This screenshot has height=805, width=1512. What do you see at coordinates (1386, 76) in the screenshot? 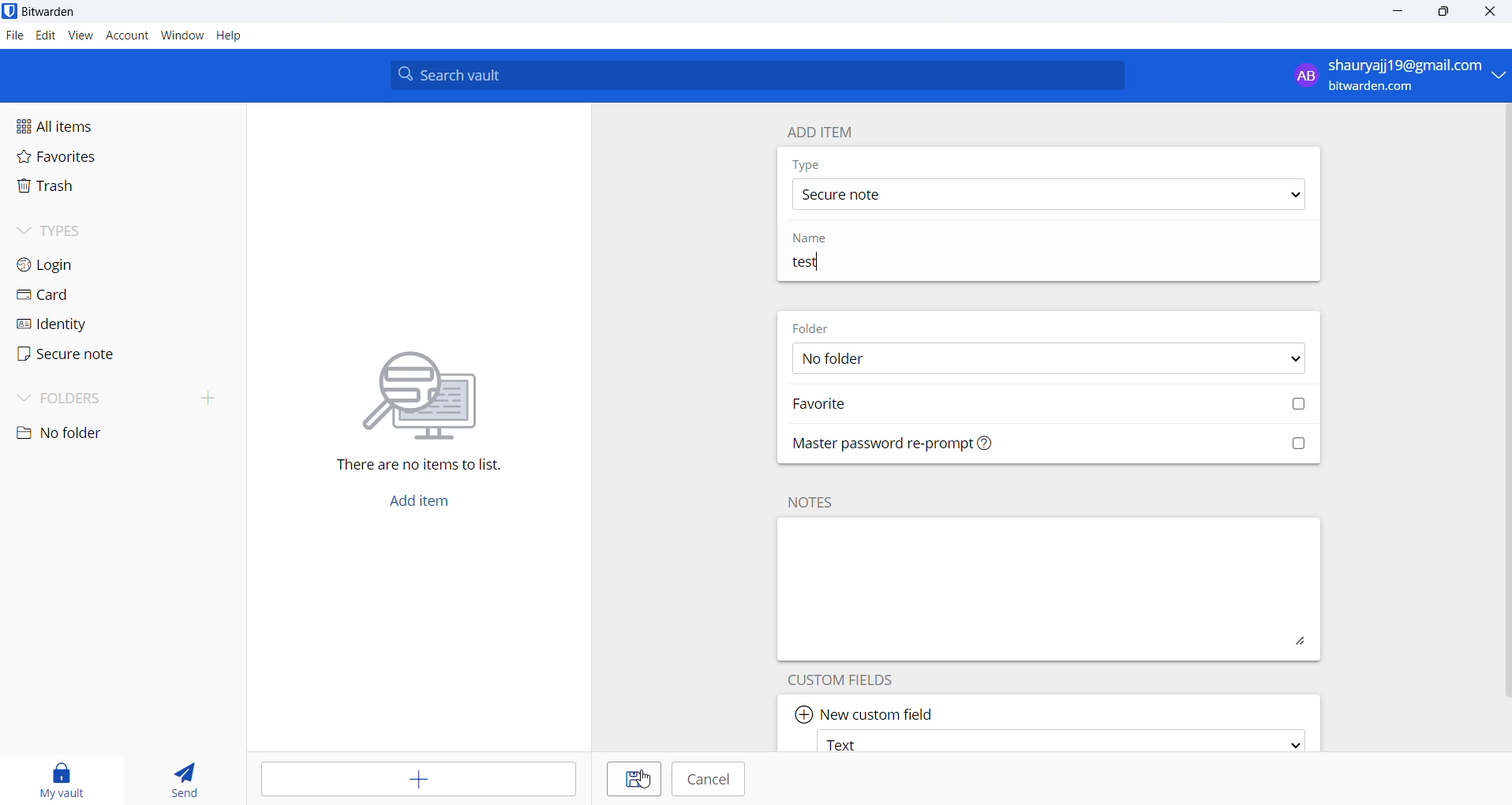
I see `login email` at bounding box center [1386, 76].